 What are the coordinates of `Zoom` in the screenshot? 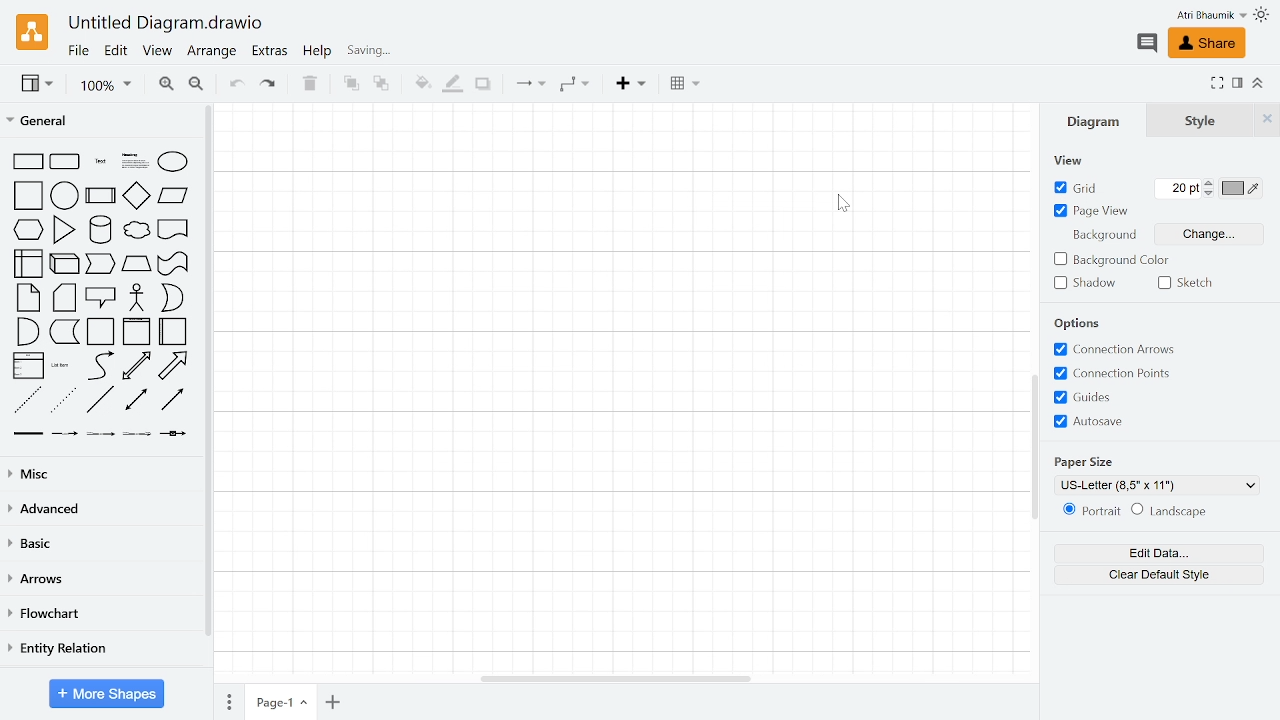 It's located at (105, 86).